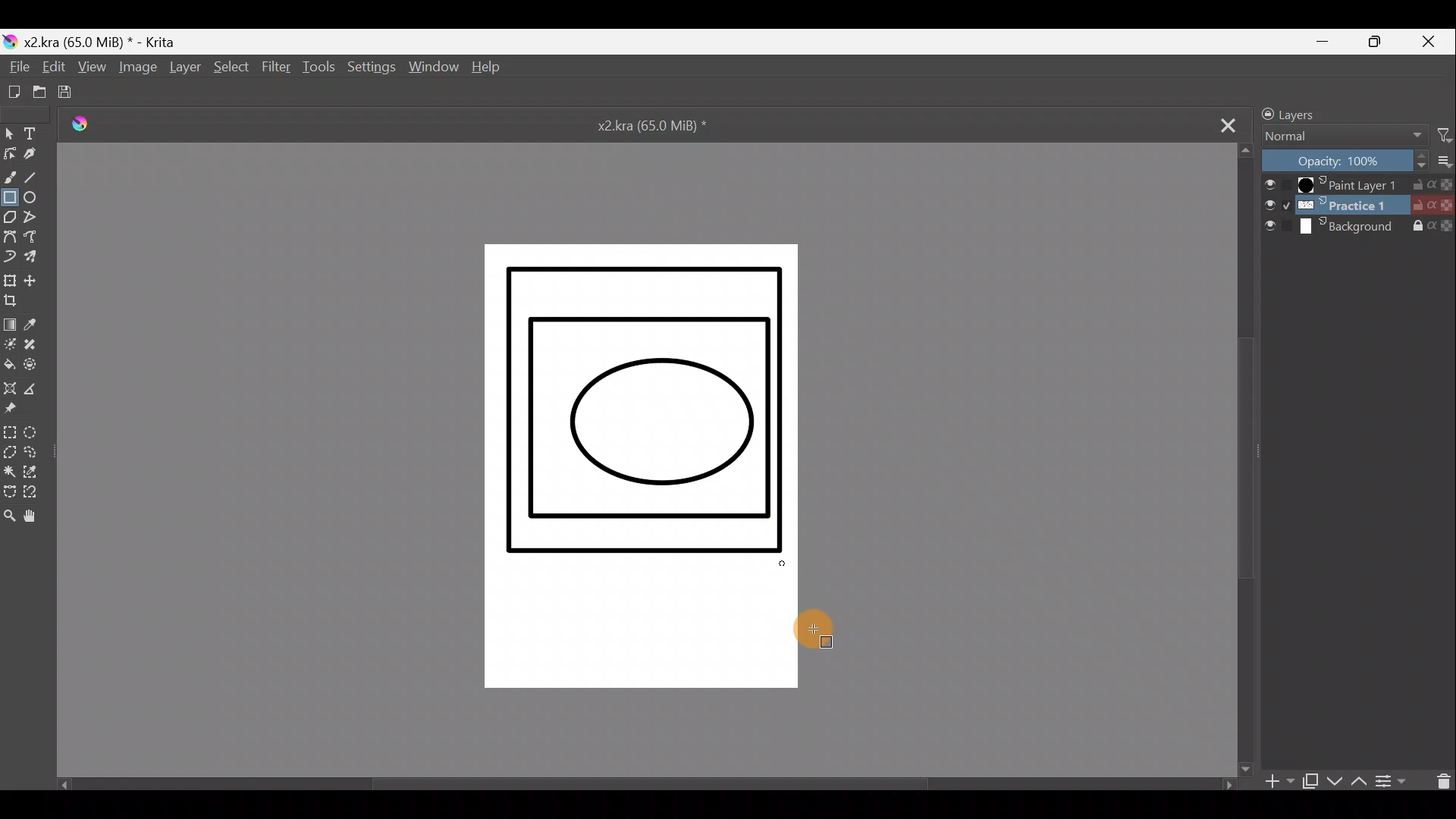 This screenshot has width=1456, height=819. I want to click on Transform a layer/selection, so click(9, 278).